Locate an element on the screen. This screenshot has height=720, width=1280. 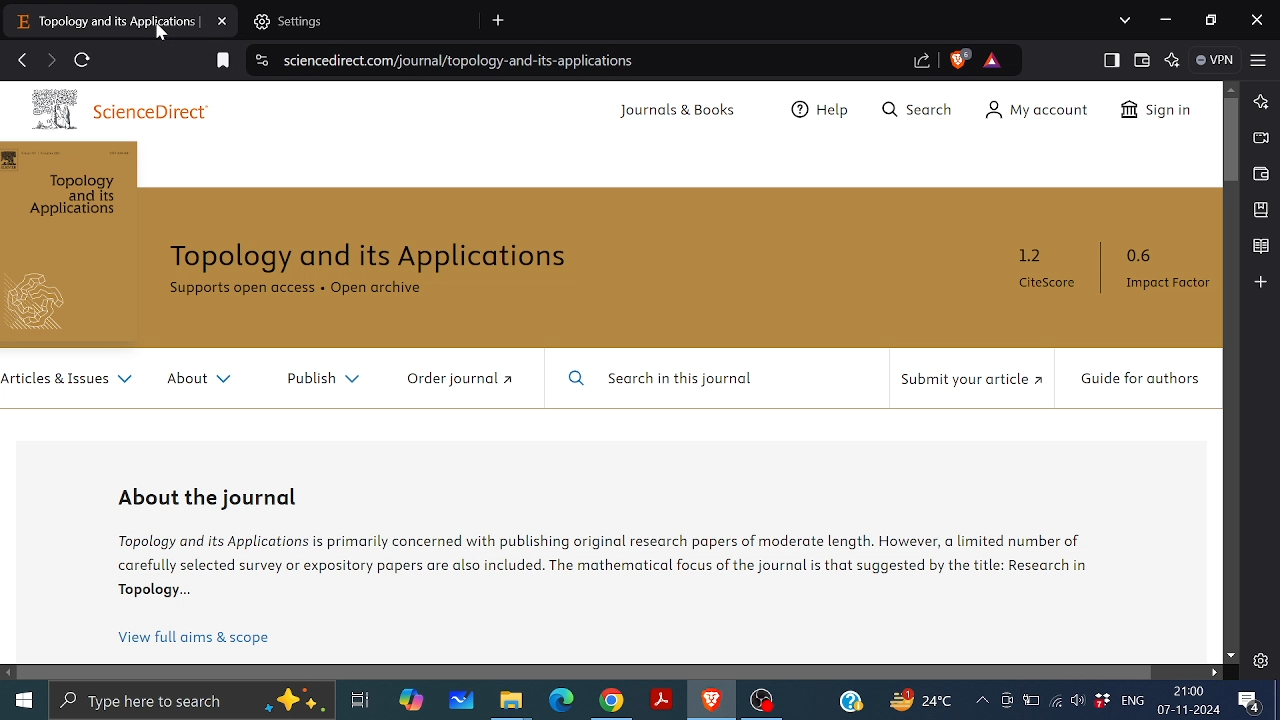
Chorme is located at coordinates (612, 703).